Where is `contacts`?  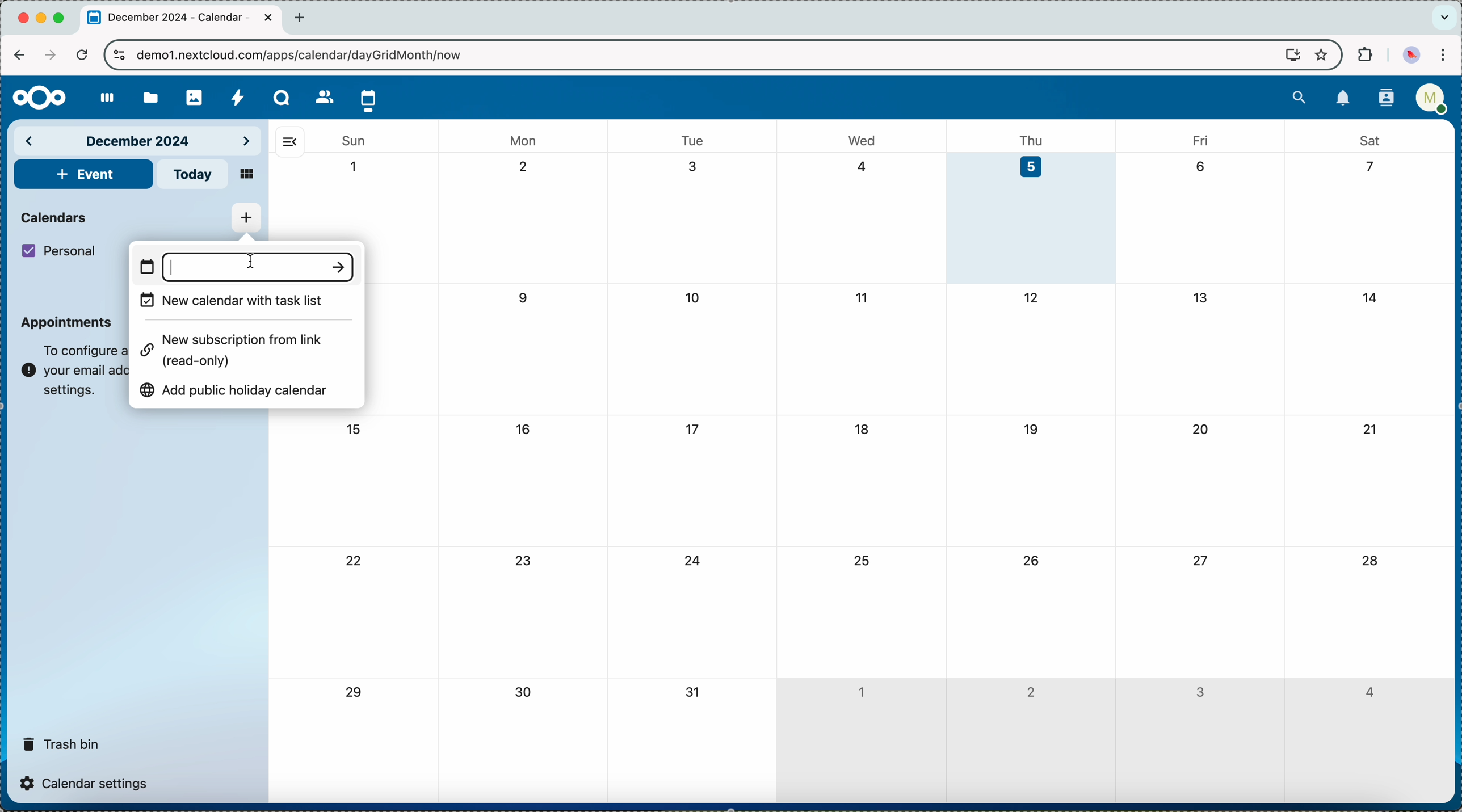
contacts is located at coordinates (321, 96).